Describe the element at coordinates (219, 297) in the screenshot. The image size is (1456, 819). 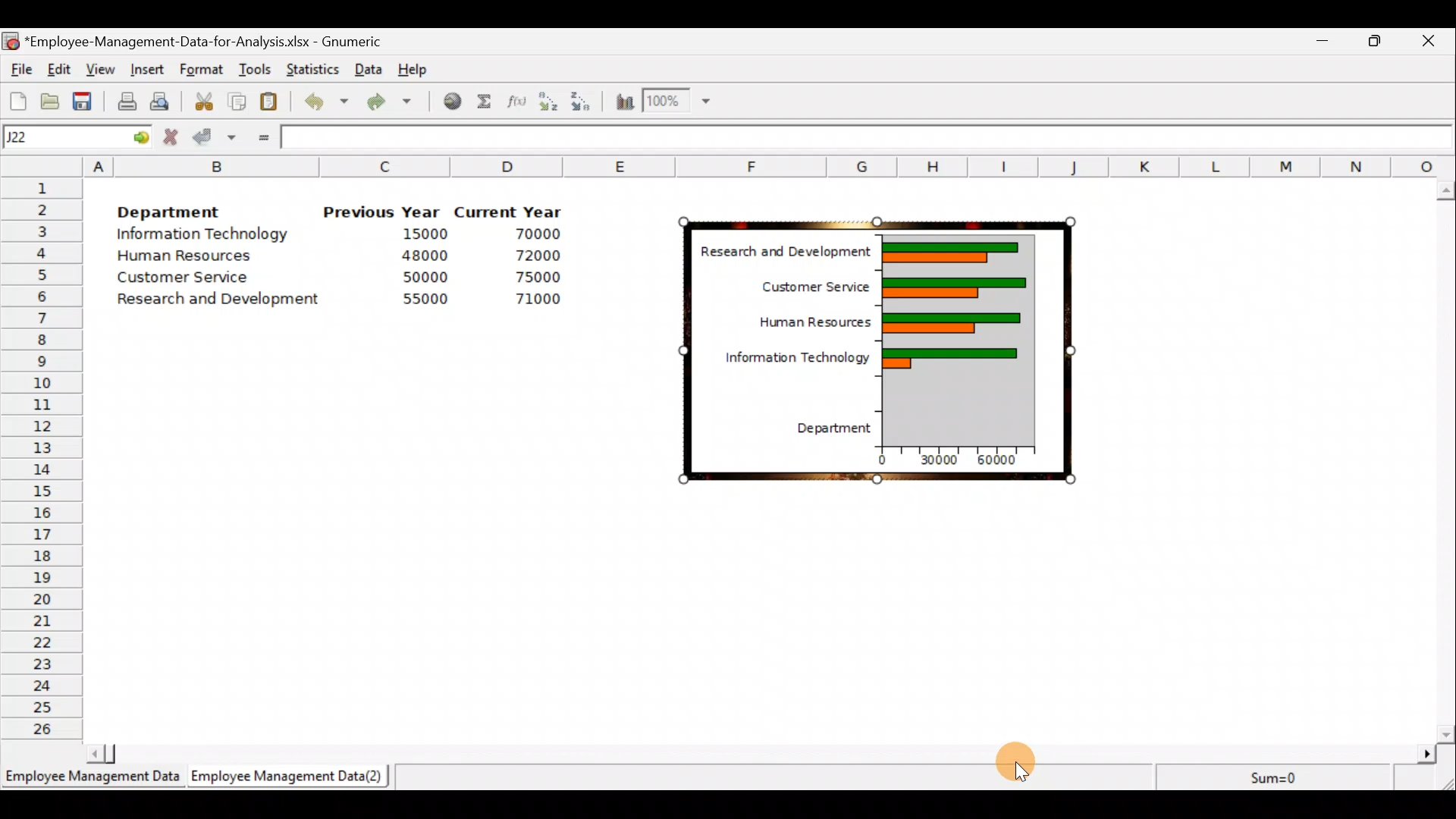
I see `Research and development` at that location.